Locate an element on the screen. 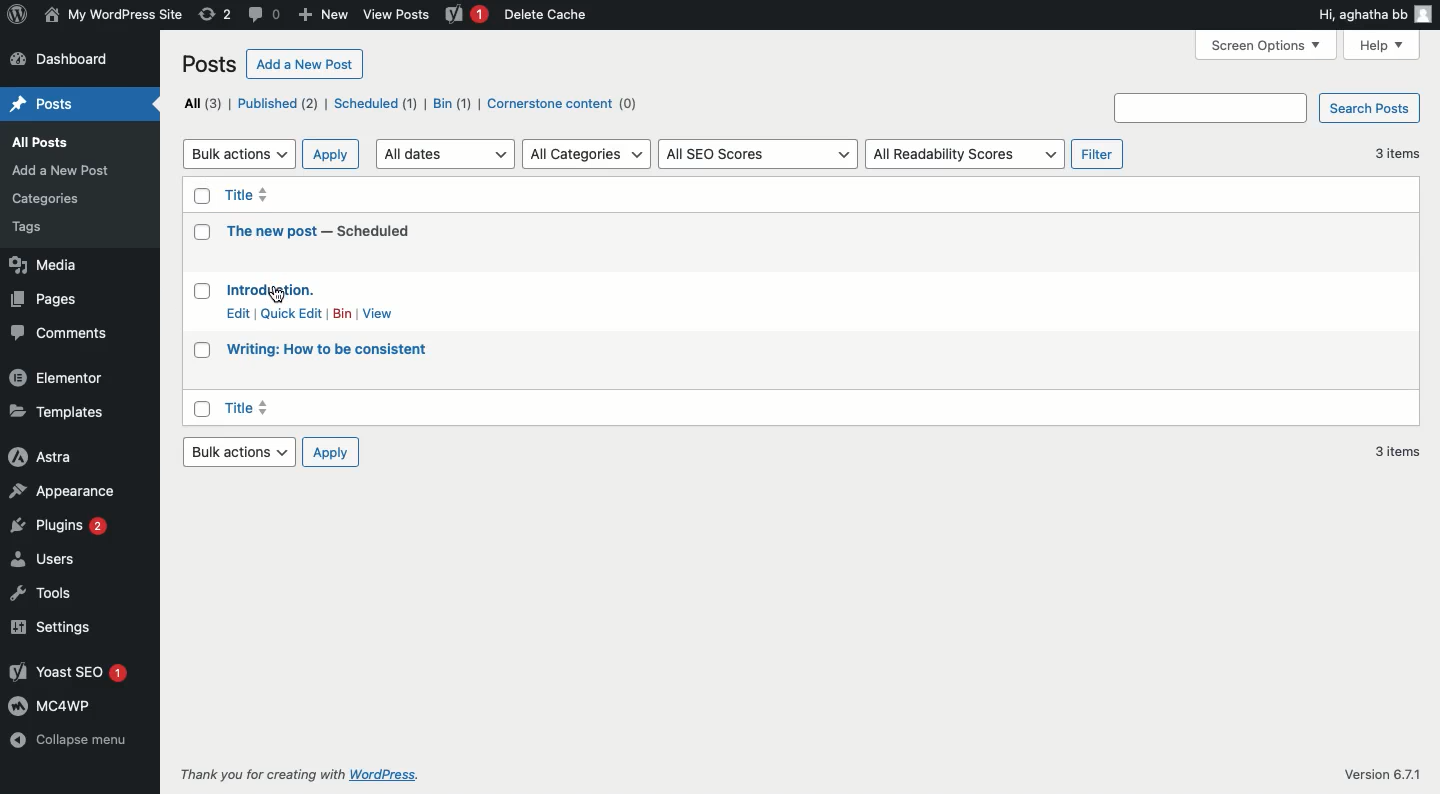 This screenshot has width=1440, height=794. Revision is located at coordinates (215, 13).